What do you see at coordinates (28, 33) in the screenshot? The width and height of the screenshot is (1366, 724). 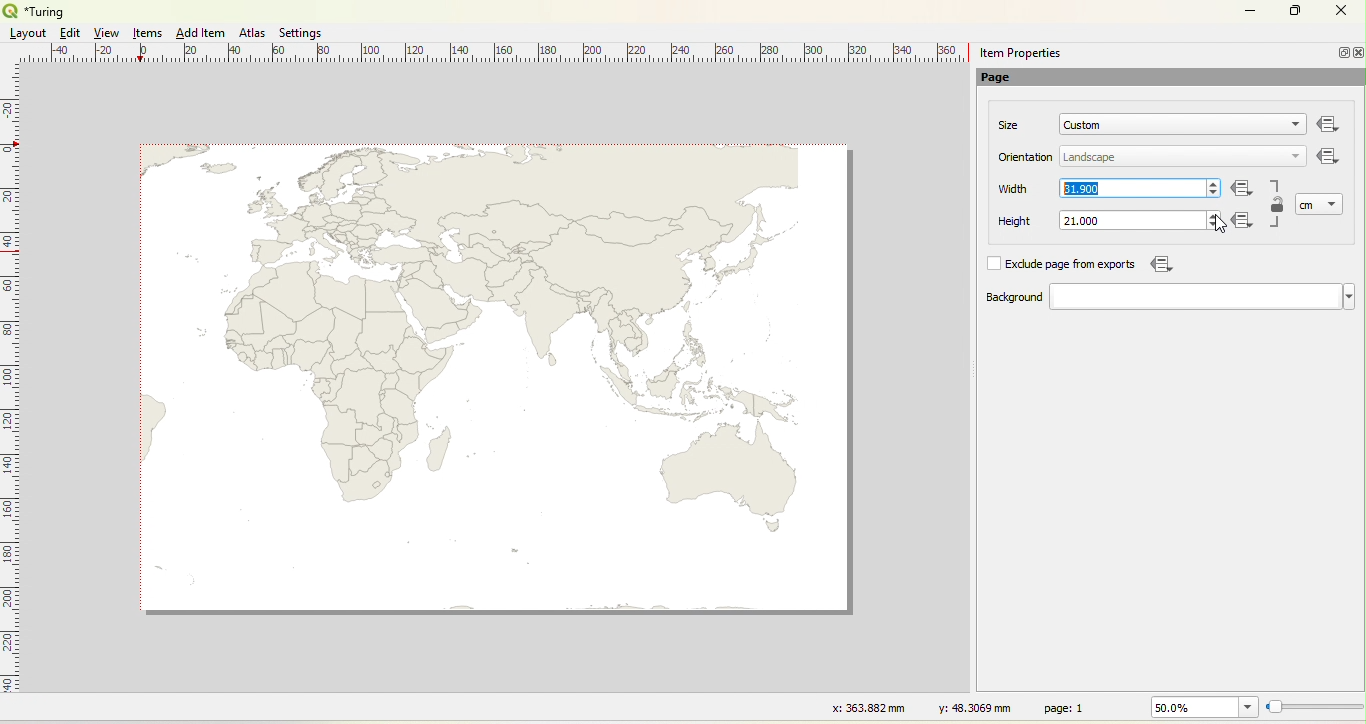 I see `Layout` at bounding box center [28, 33].